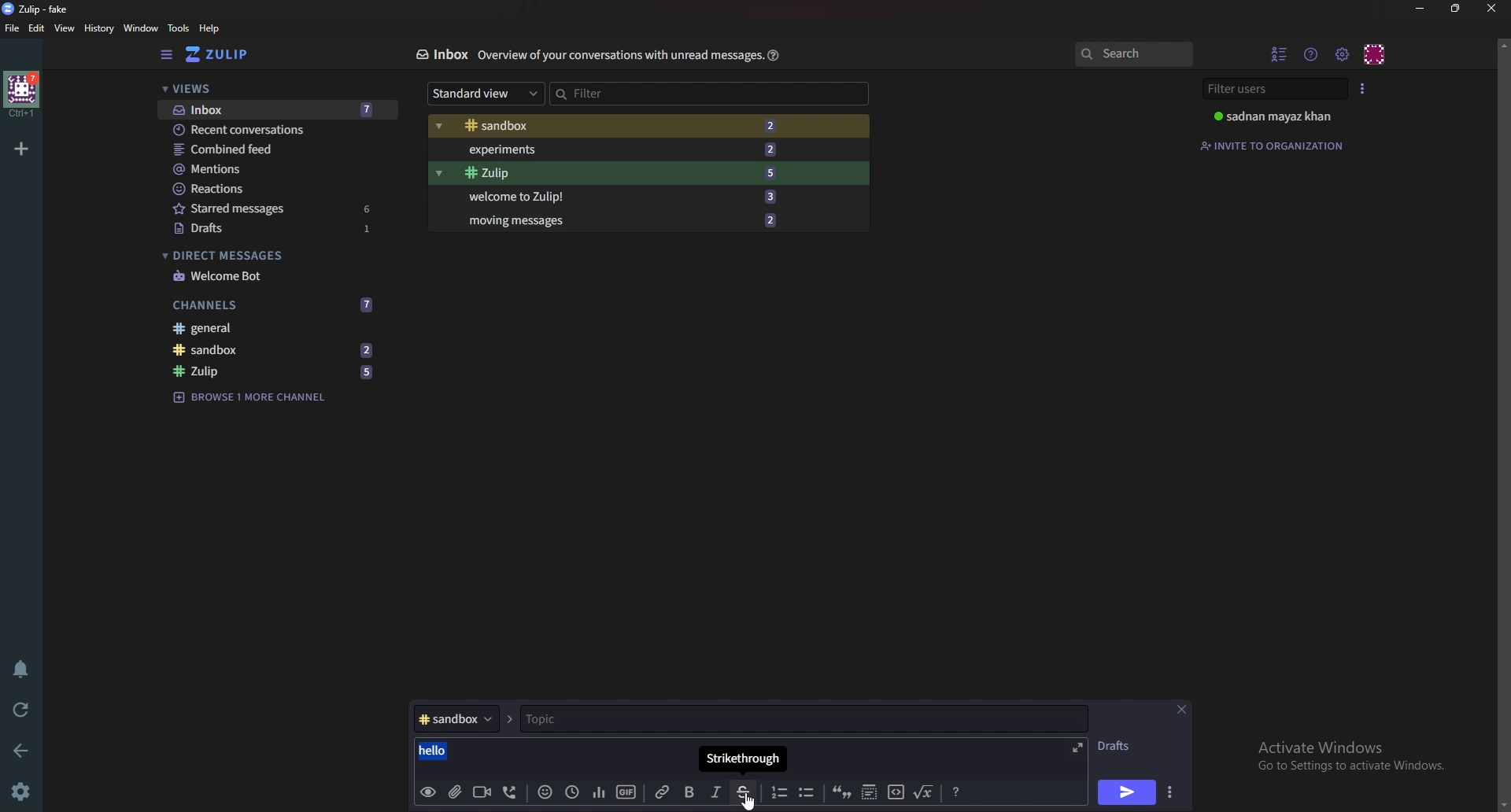  Describe the element at coordinates (841, 793) in the screenshot. I see `quote` at that location.